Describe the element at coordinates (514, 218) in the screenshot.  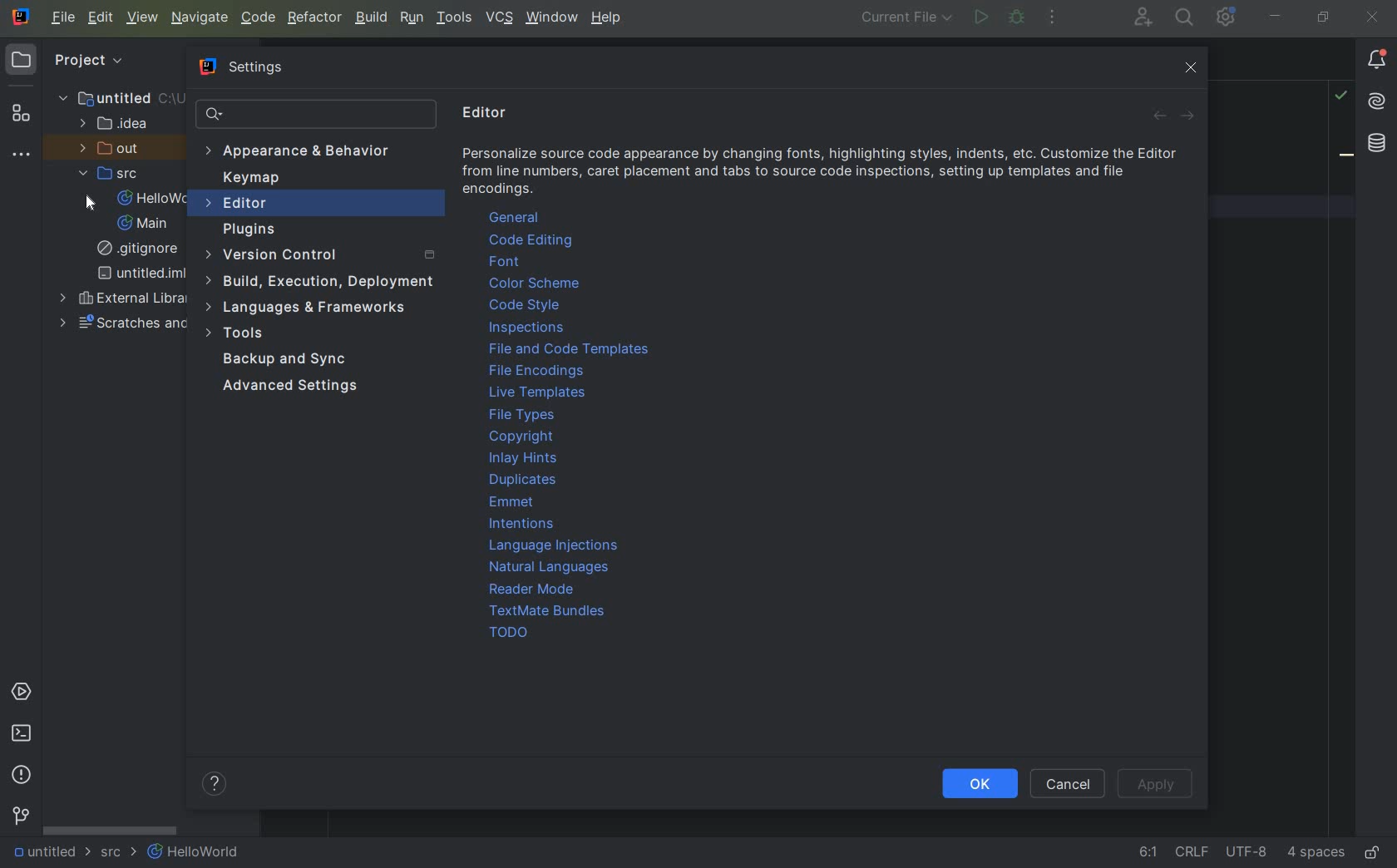
I see `general` at that location.